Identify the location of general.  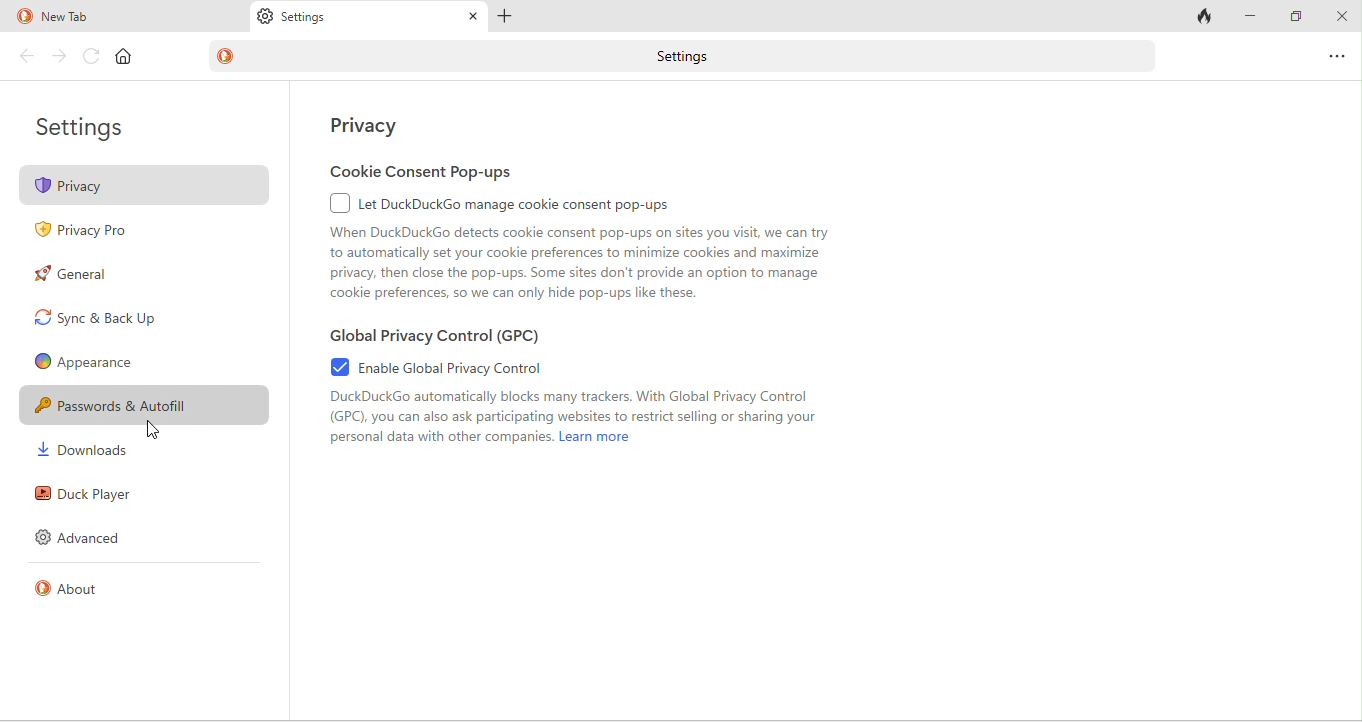
(97, 279).